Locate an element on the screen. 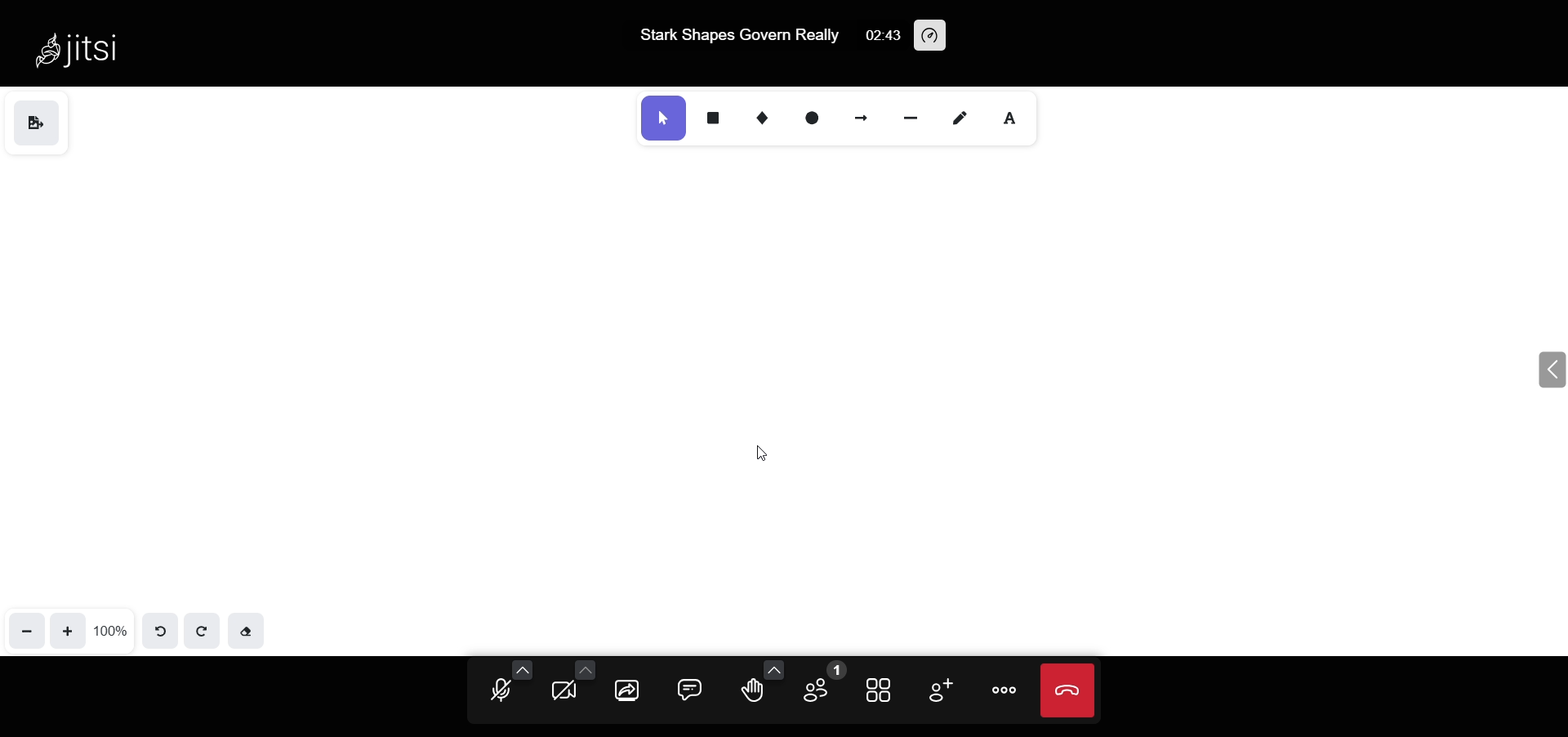 This screenshot has width=1568, height=737. microphone is located at coordinates (500, 692).